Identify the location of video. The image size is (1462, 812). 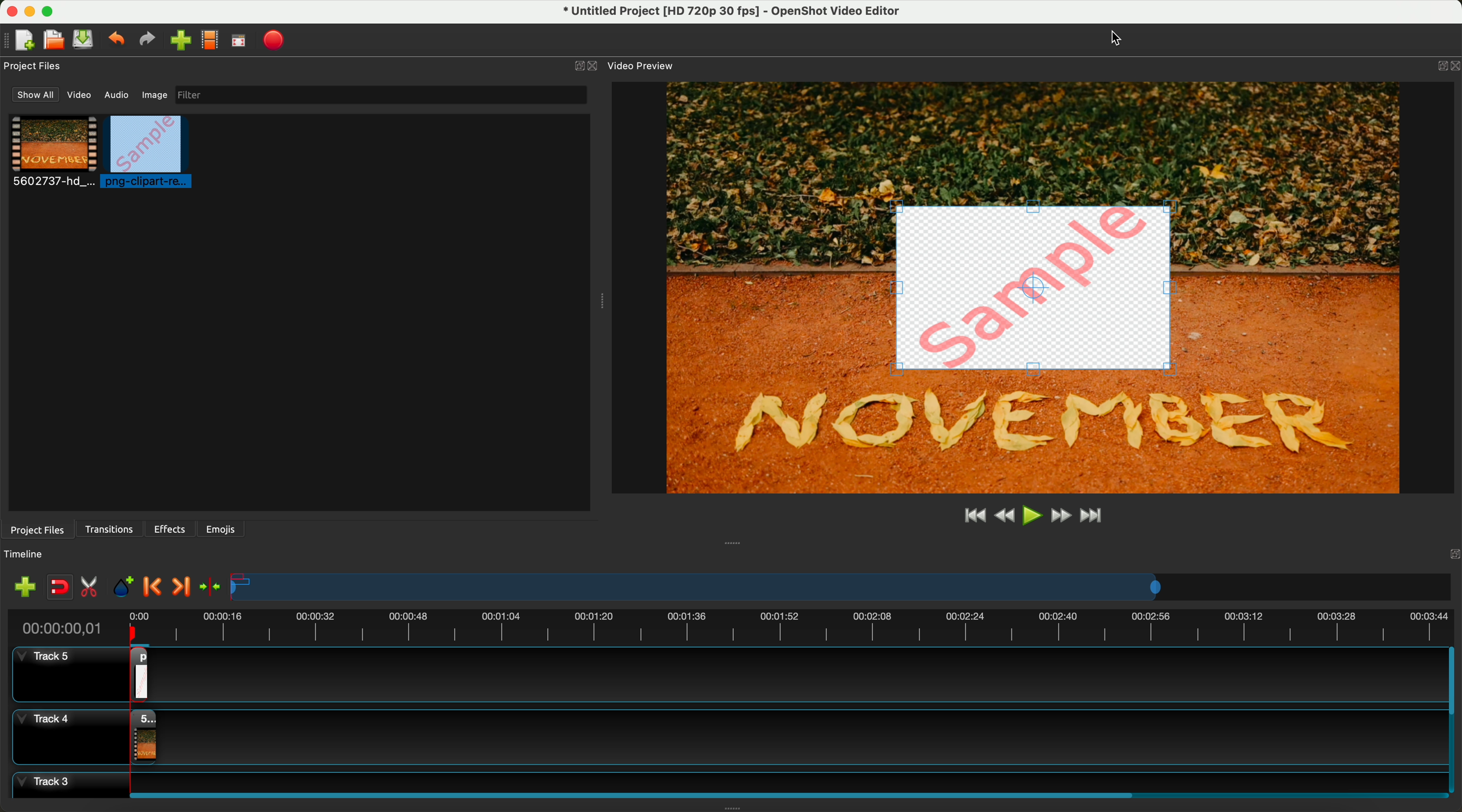
(81, 97).